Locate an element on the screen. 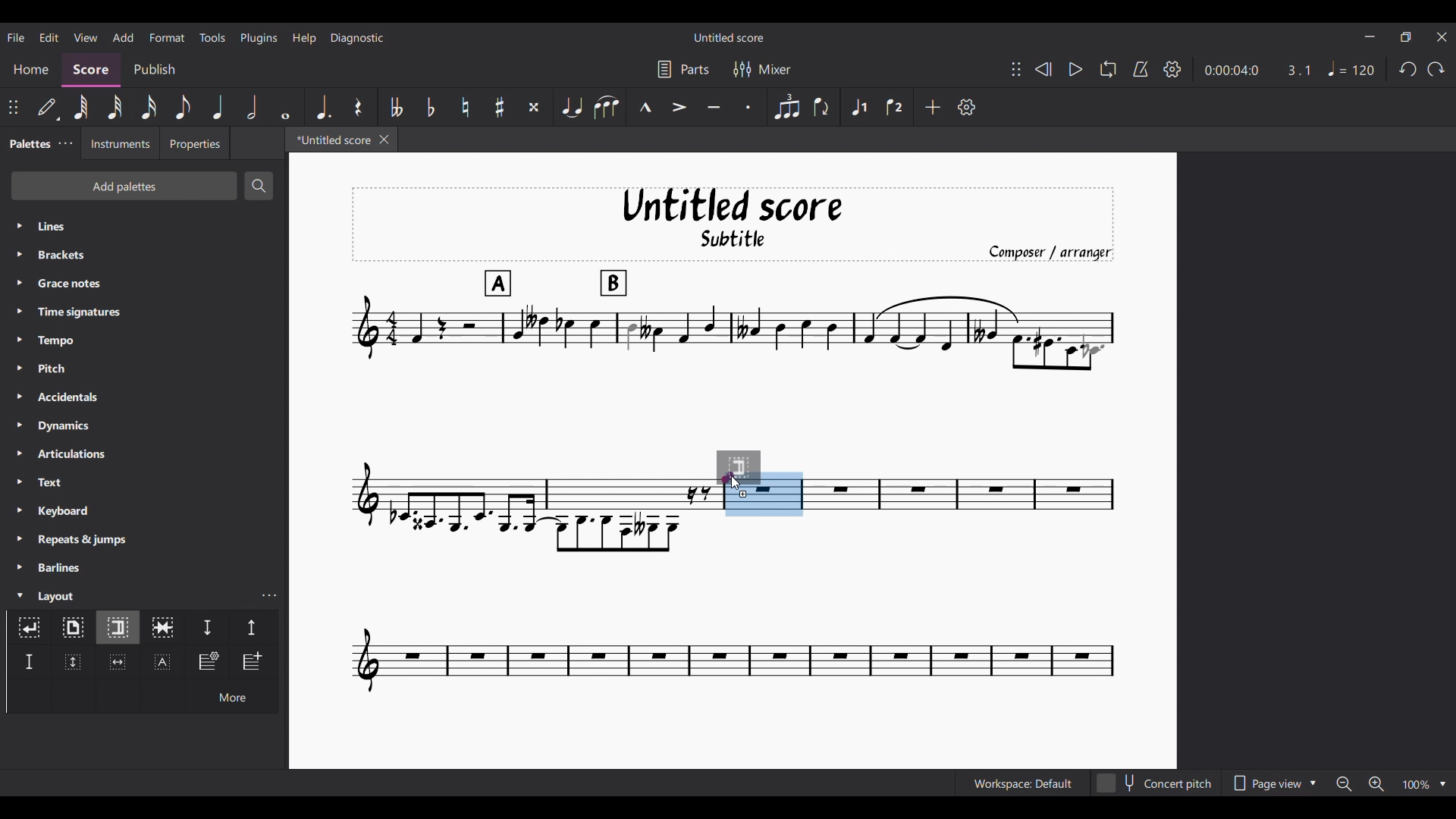  Tempo is located at coordinates (1351, 69).